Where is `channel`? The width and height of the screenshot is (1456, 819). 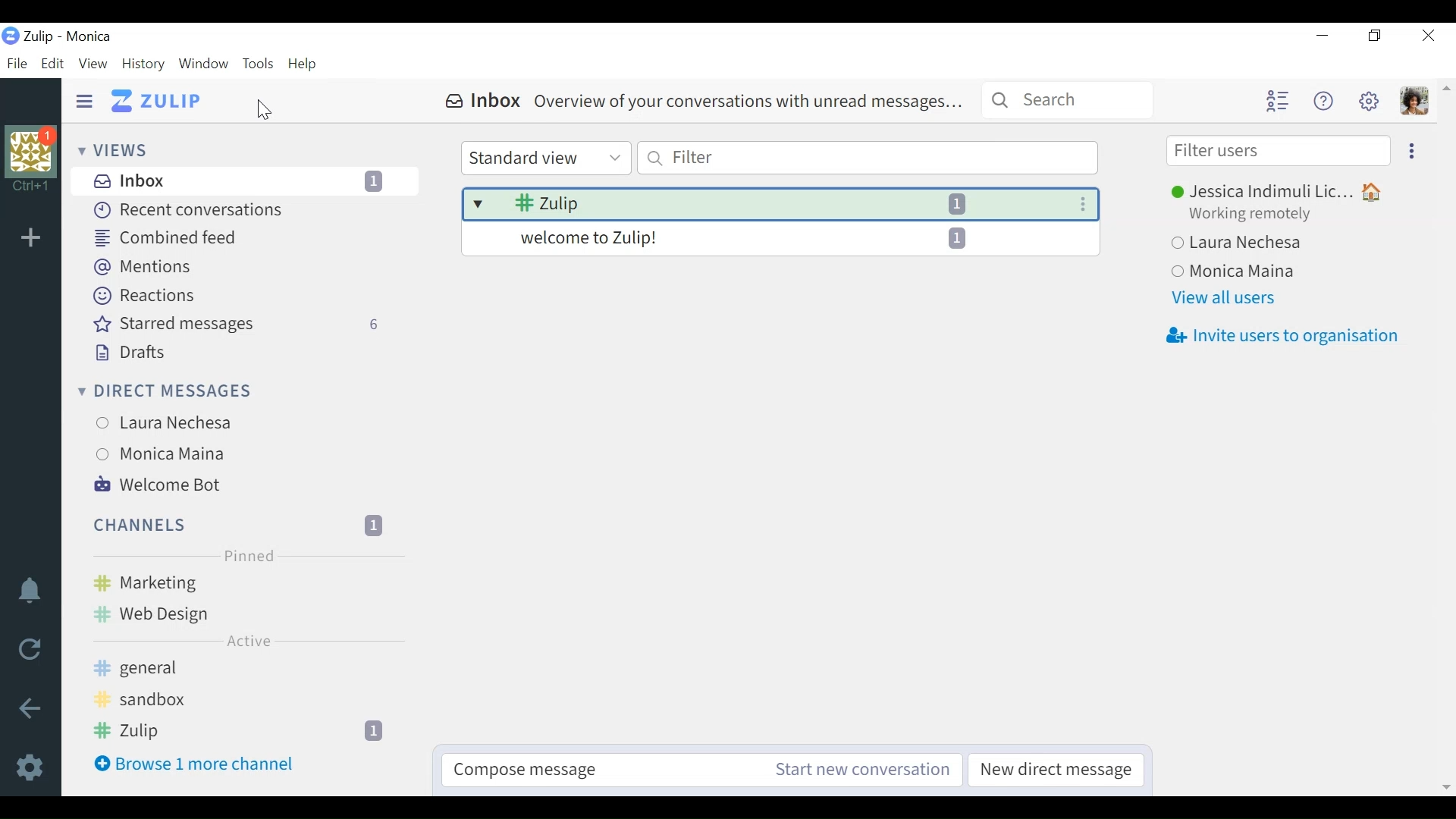
channel is located at coordinates (247, 702).